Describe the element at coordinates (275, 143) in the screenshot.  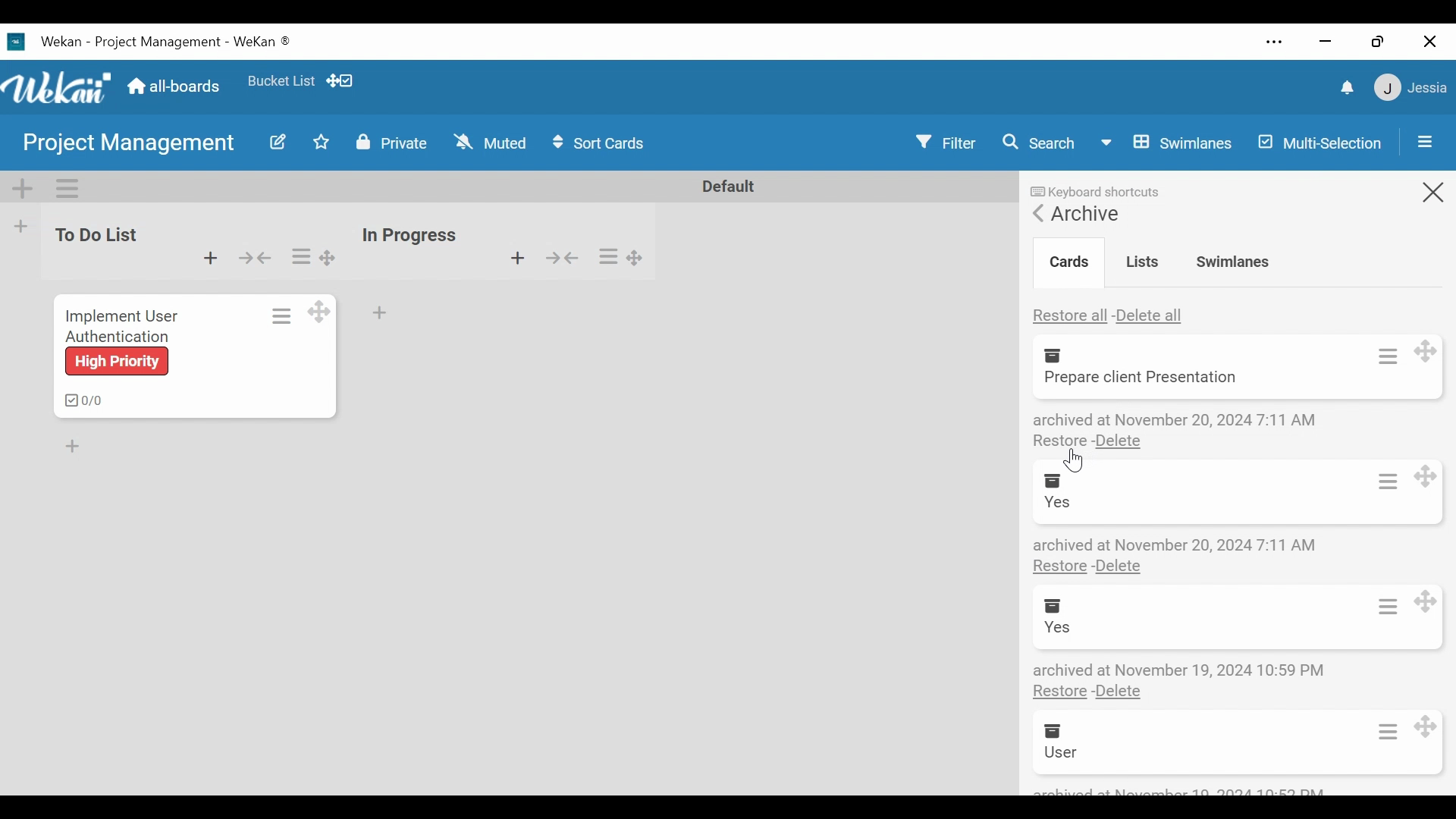
I see `Edit` at that location.